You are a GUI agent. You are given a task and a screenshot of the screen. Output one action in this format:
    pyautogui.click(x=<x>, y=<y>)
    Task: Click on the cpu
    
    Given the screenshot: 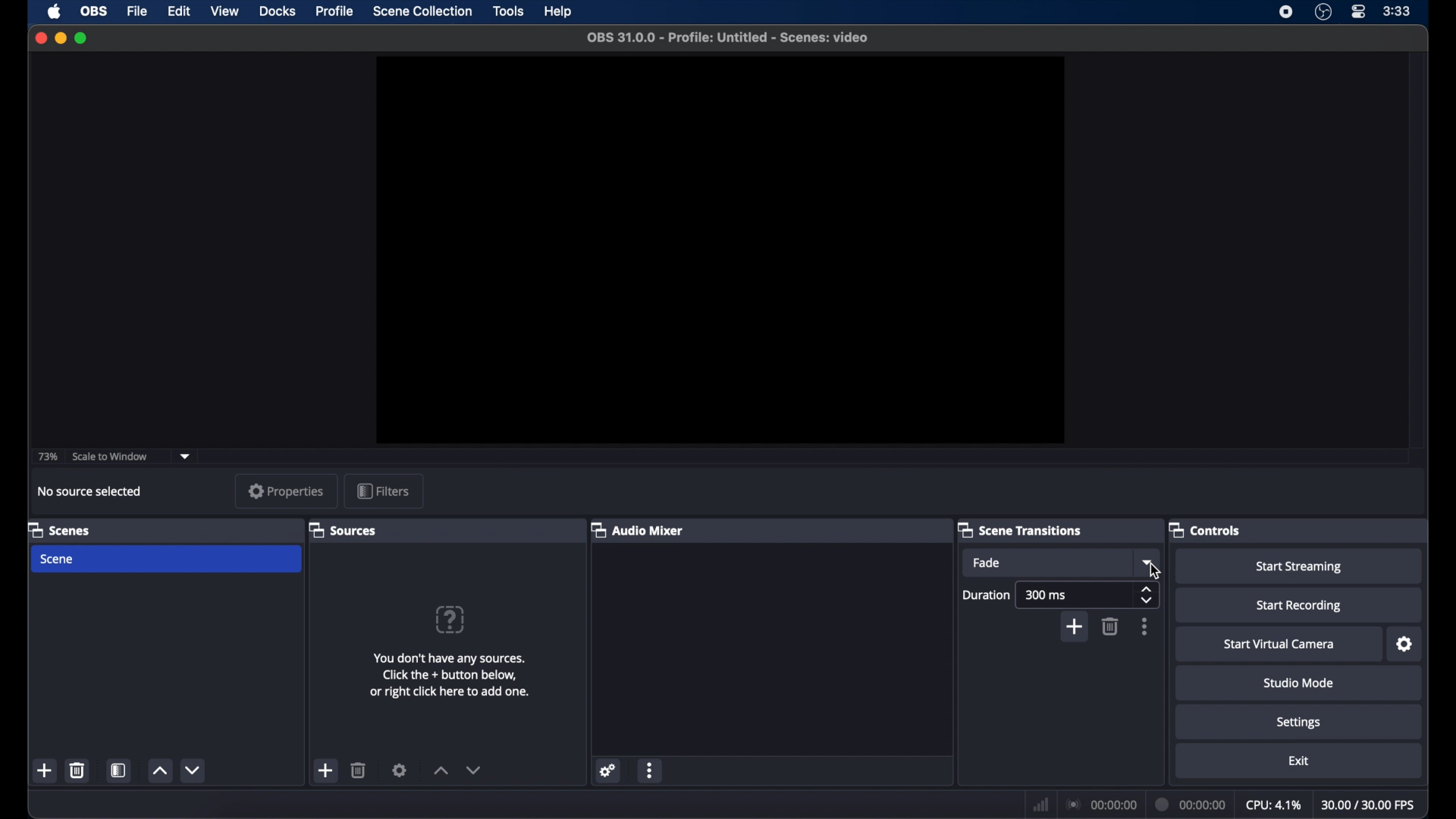 What is the action you would take?
    pyautogui.click(x=1274, y=803)
    